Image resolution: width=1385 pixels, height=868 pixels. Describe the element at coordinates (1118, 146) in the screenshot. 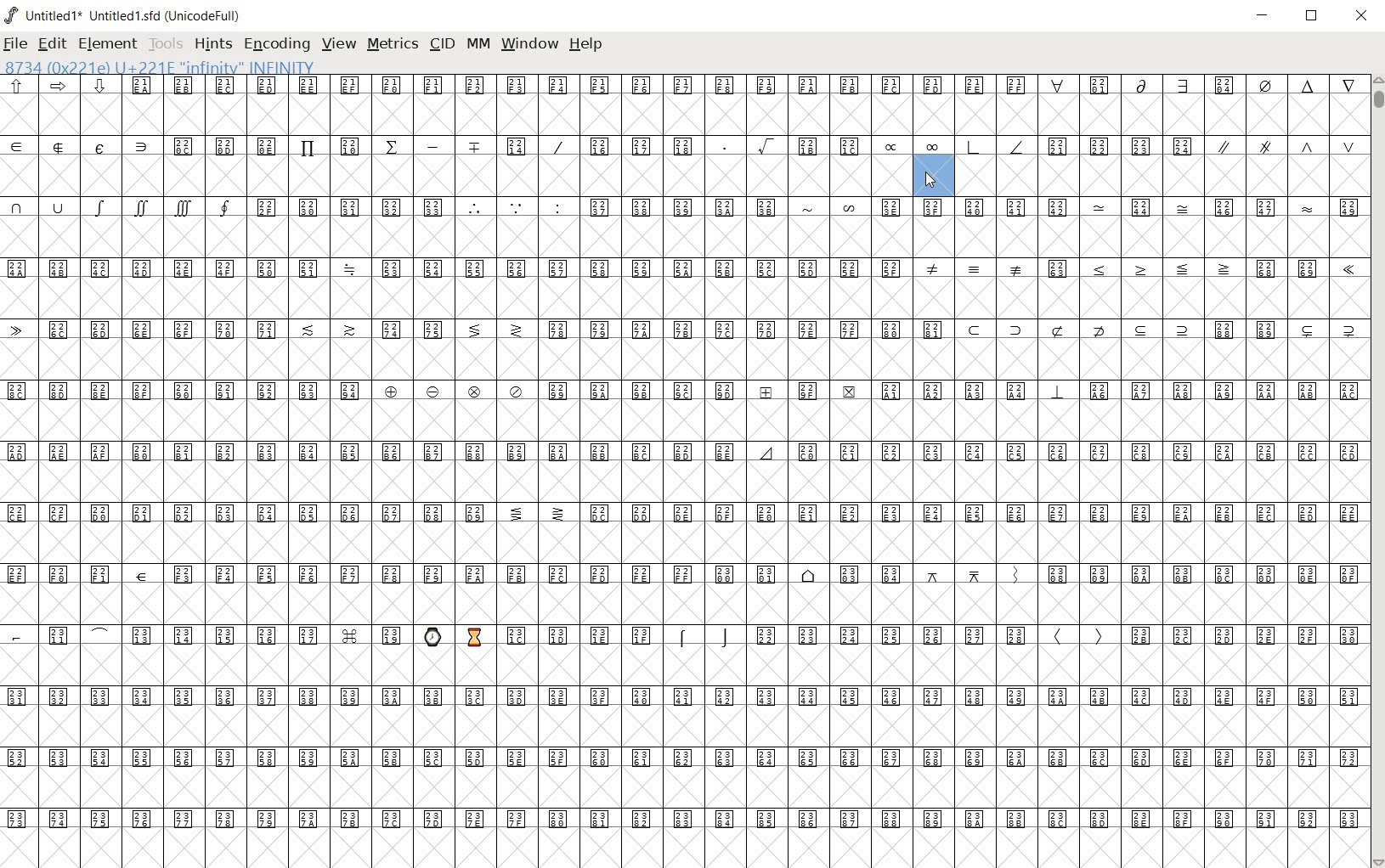

I see `Unicode code points` at that location.